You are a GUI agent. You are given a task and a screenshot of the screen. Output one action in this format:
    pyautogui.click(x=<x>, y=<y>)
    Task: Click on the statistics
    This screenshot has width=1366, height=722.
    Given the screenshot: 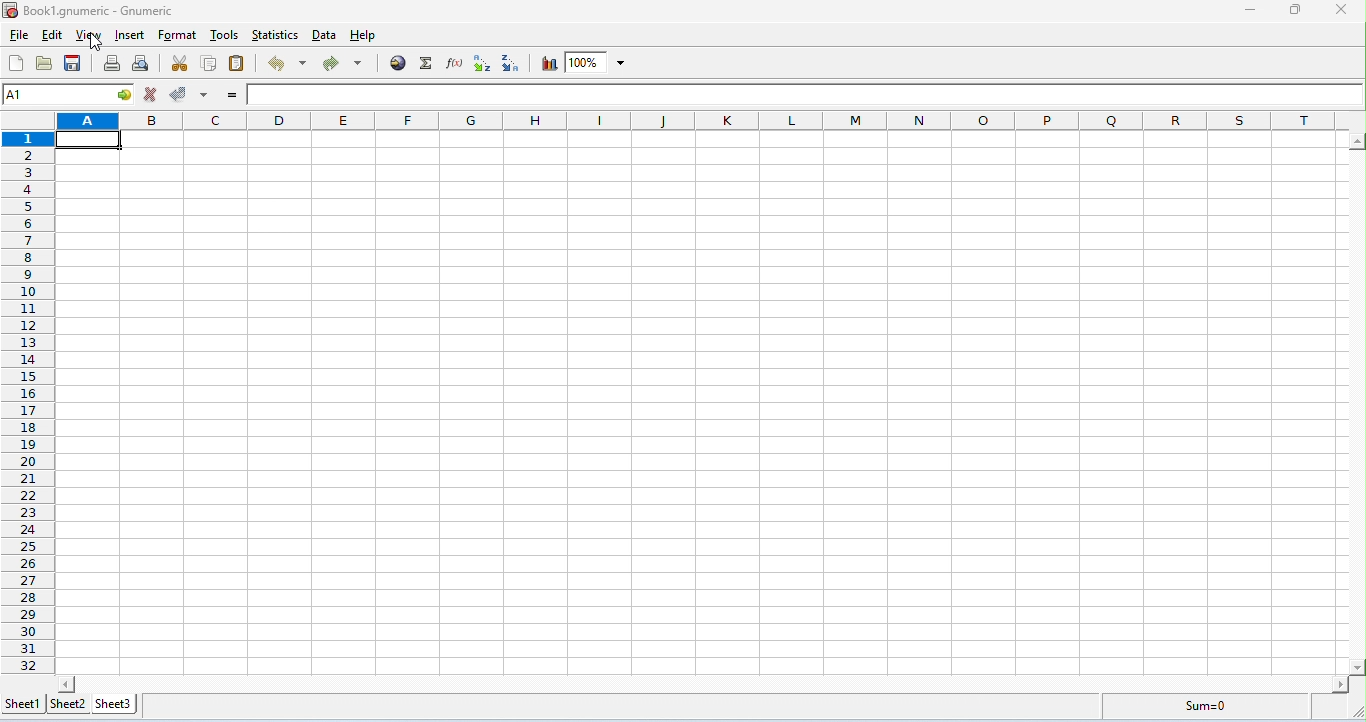 What is the action you would take?
    pyautogui.click(x=276, y=35)
    